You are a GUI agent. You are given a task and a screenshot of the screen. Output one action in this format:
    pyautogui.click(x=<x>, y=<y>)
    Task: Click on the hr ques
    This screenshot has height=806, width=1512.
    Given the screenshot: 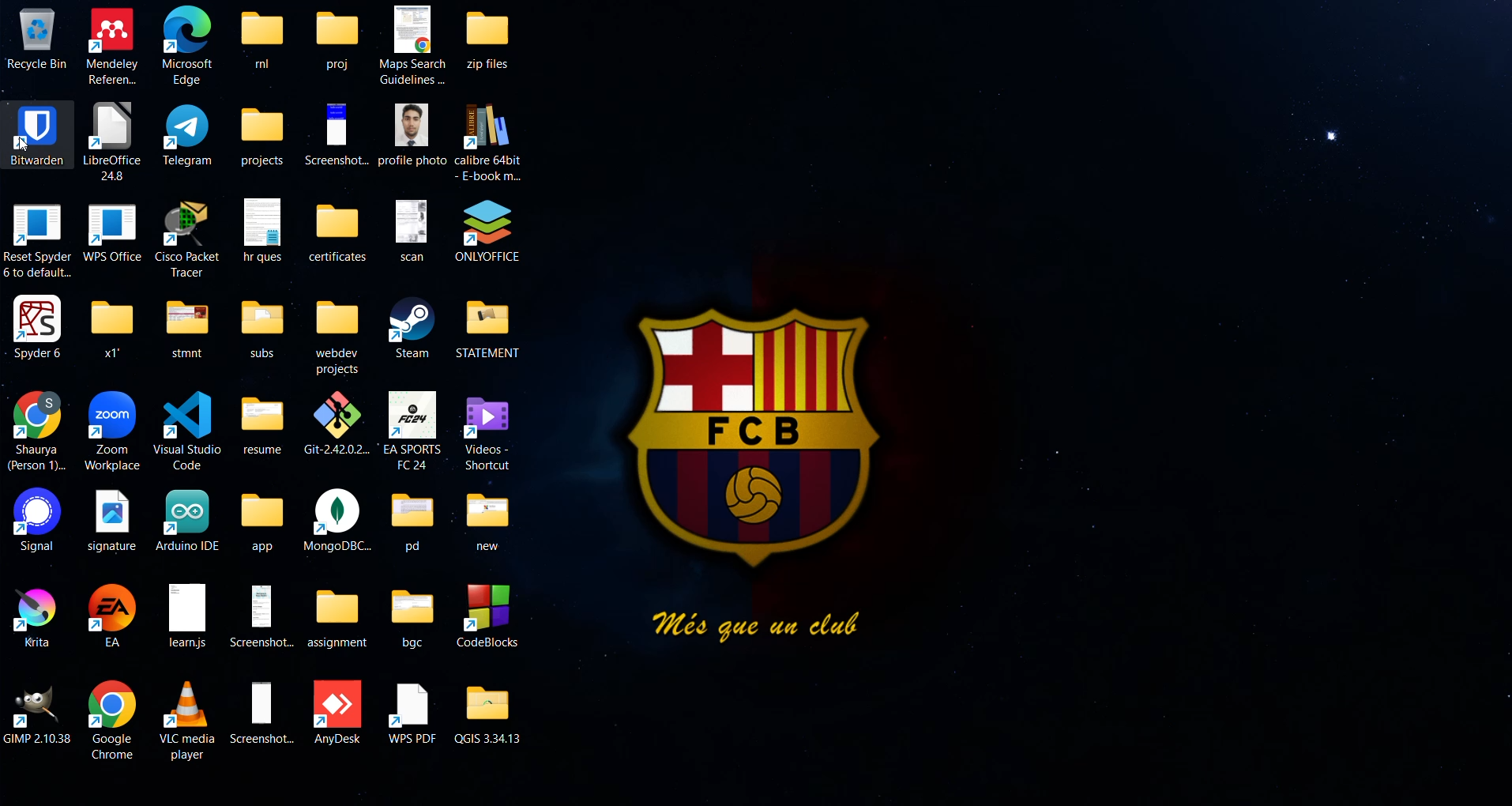 What is the action you would take?
    pyautogui.click(x=263, y=229)
    